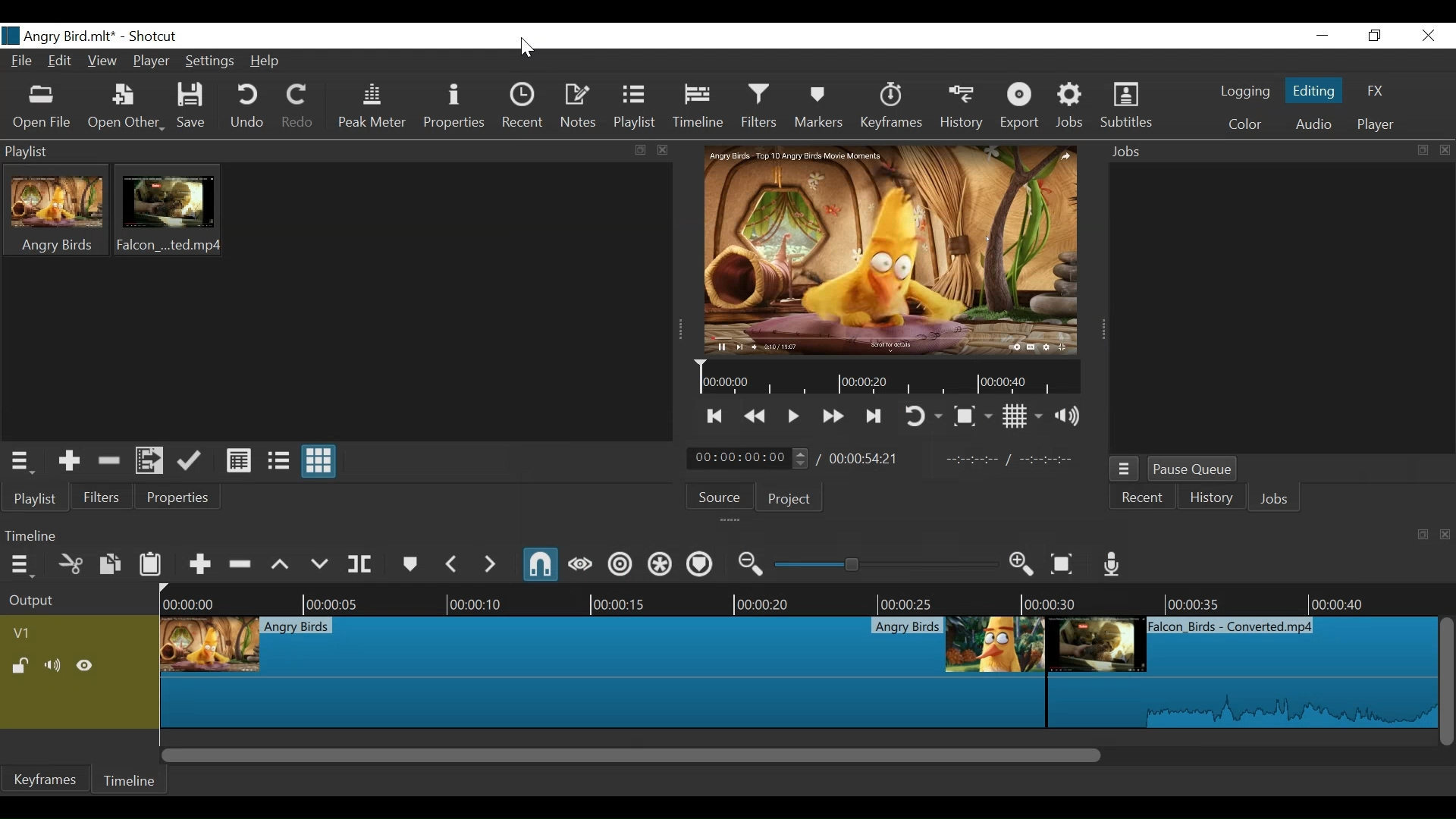 This screenshot has width=1456, height=819. Describe the element at coordinates (266, 59) in the screenshot. I see `Help` at that location.